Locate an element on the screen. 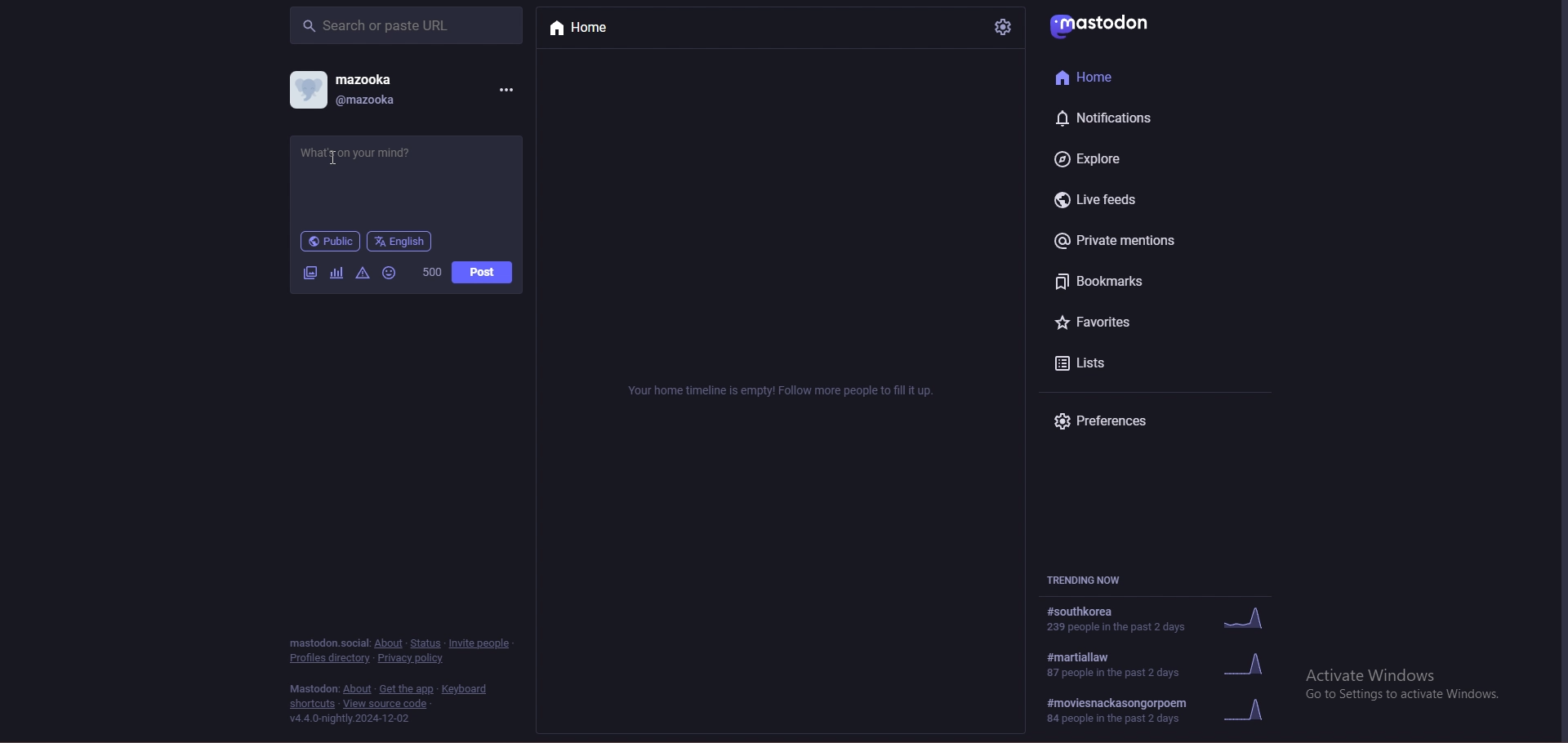  View source code is located at coordinates (387, 704).